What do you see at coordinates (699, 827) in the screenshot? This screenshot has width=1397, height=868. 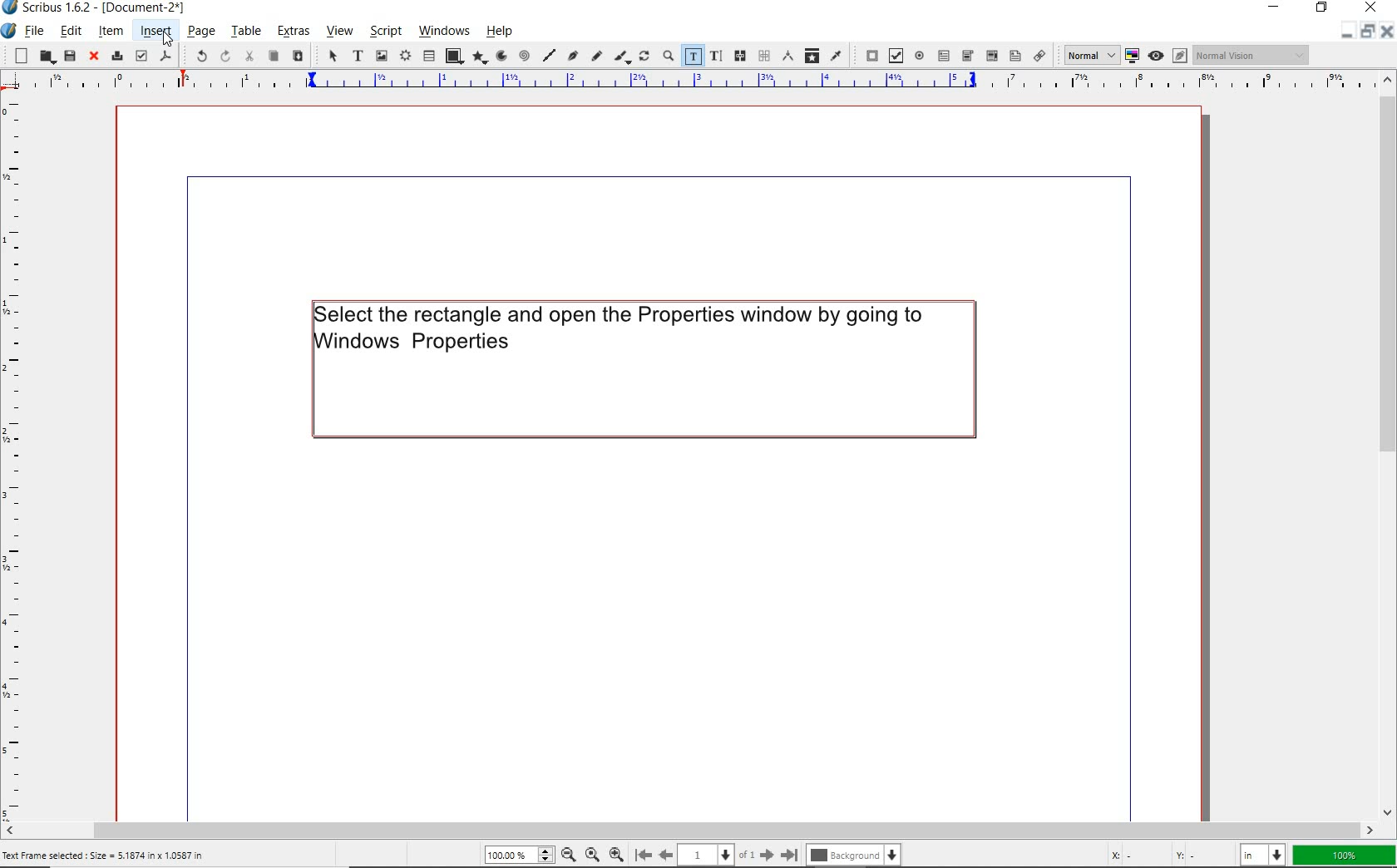 I see `Scroll Bar` at bounding box center [699, 827].